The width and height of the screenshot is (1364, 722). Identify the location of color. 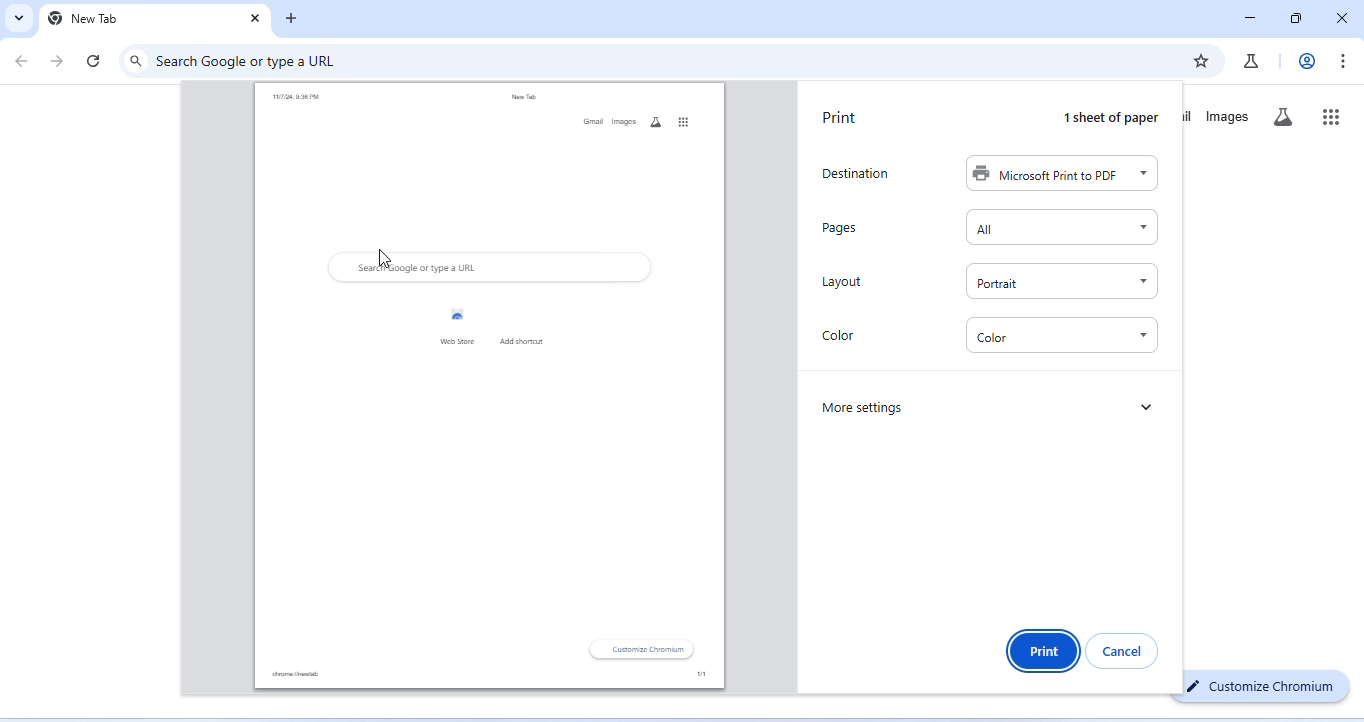
(1063, 336).